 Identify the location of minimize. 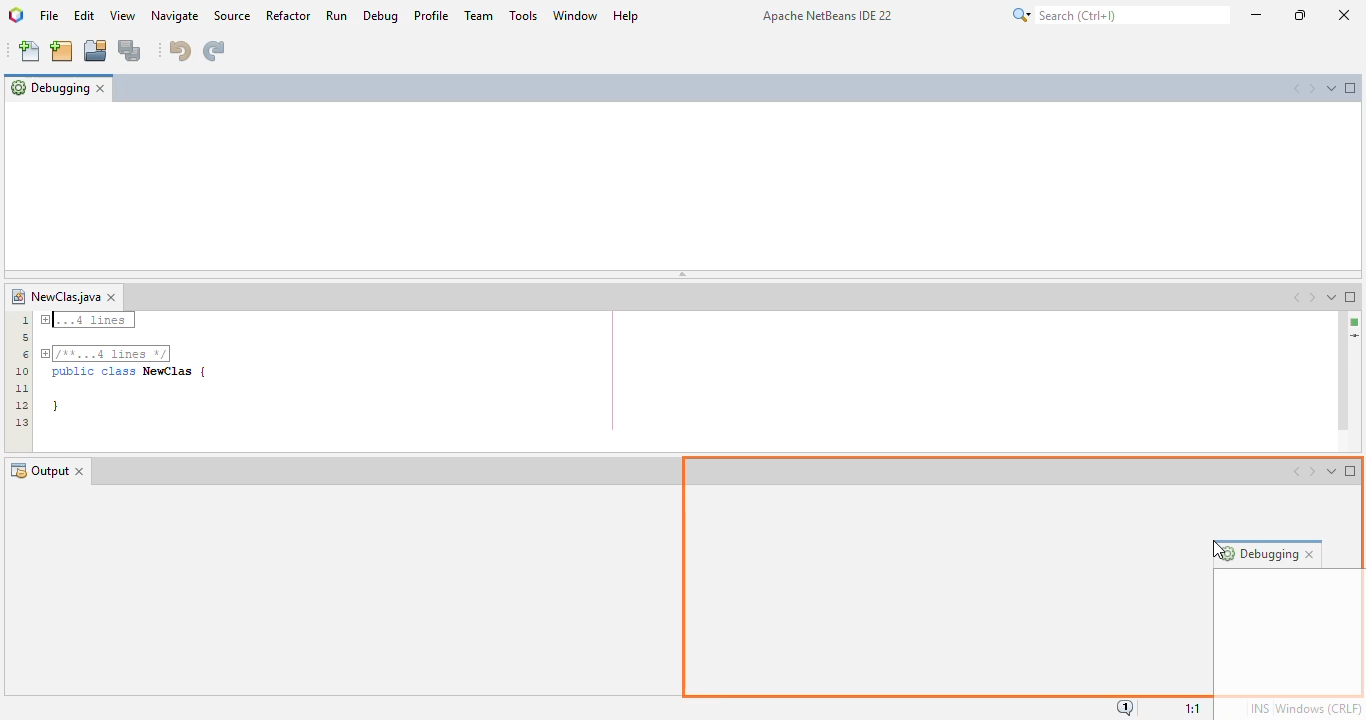
(1256, 15).